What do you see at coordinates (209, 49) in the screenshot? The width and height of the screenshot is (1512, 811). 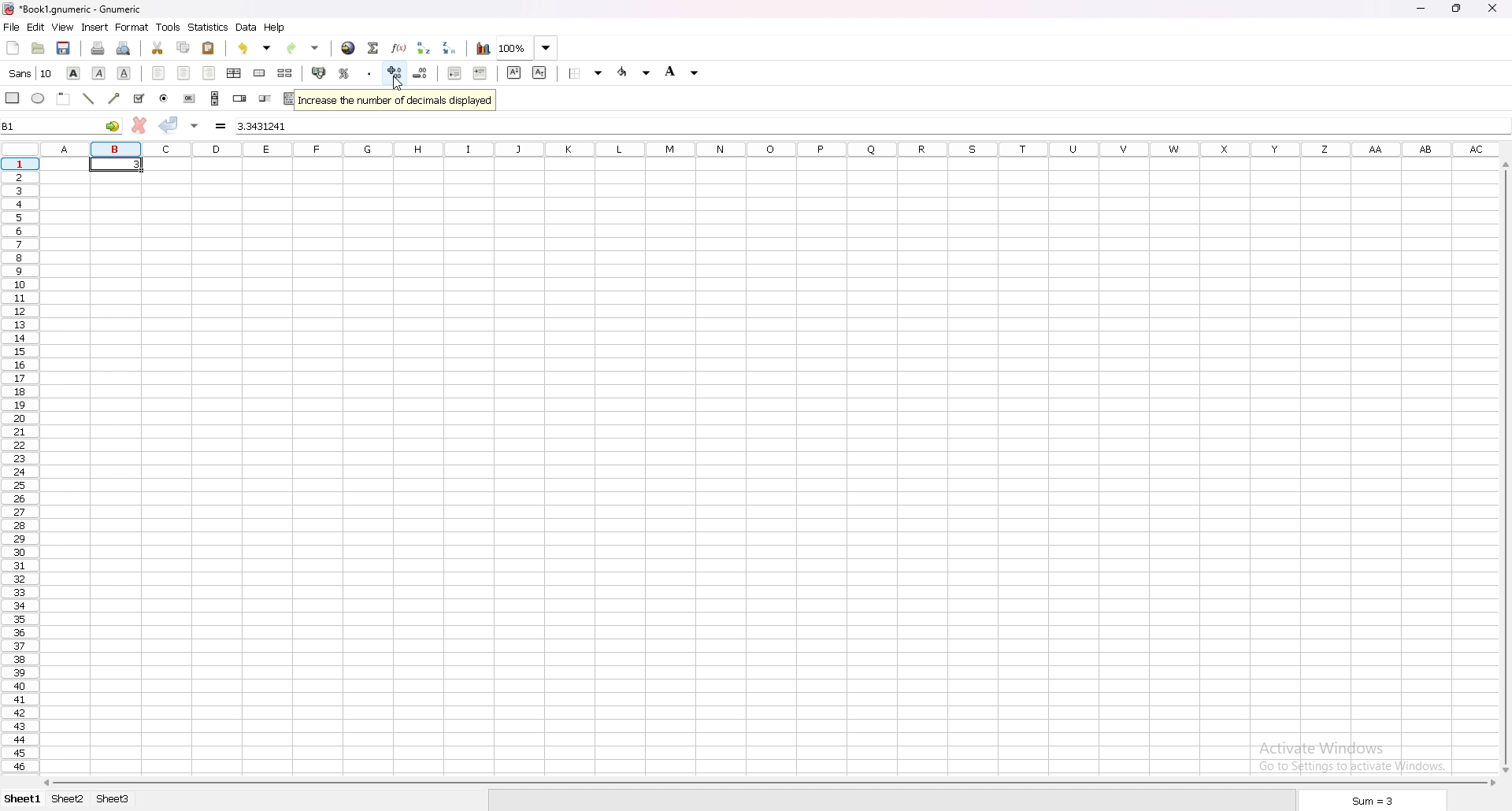 I see `paste` at bounding box center [209, 49].